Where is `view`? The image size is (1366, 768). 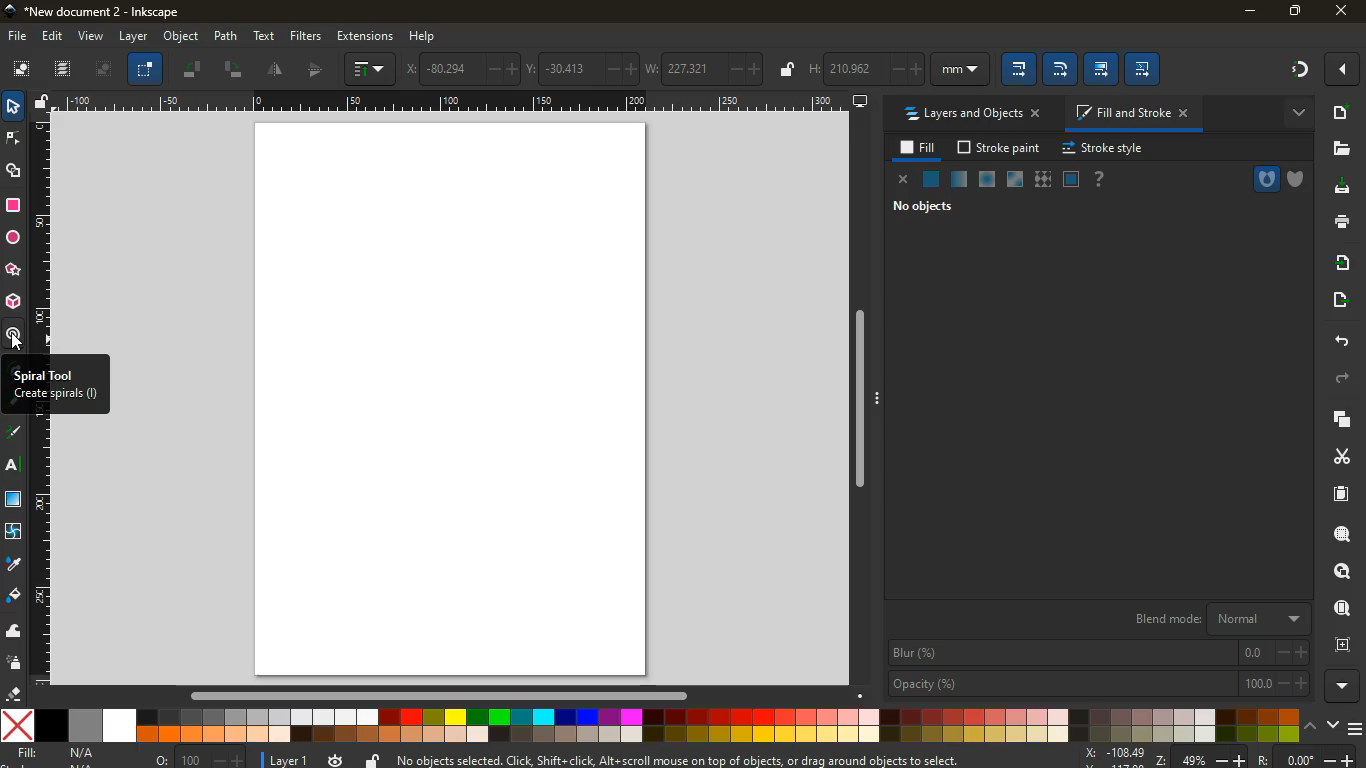 view is located at coordinates (92, 37).